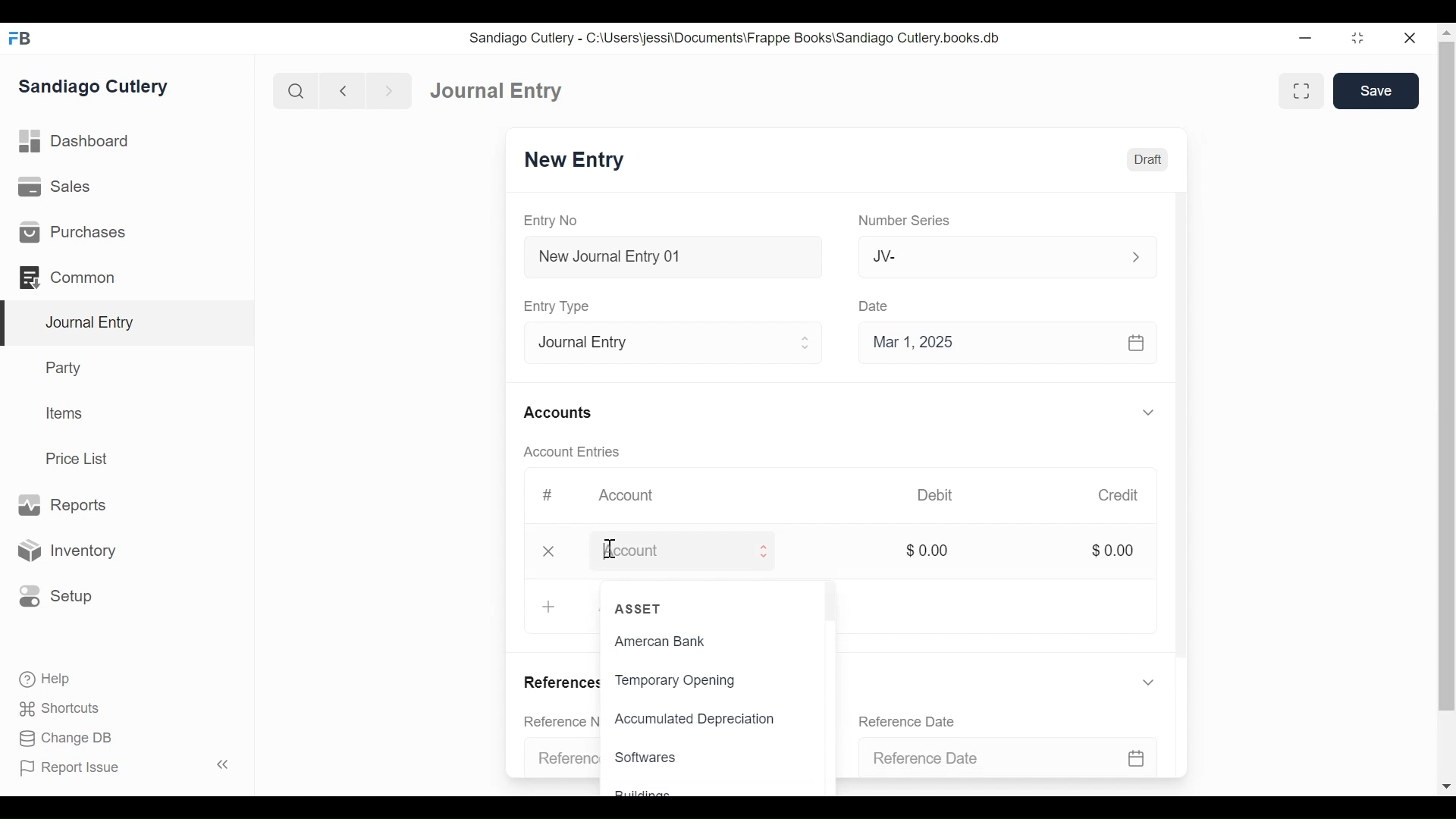  What do you see at coordinates (1018, 341) in the screenshot?
I see `Mar 1, 2025` at bounding box center [1018, 341].